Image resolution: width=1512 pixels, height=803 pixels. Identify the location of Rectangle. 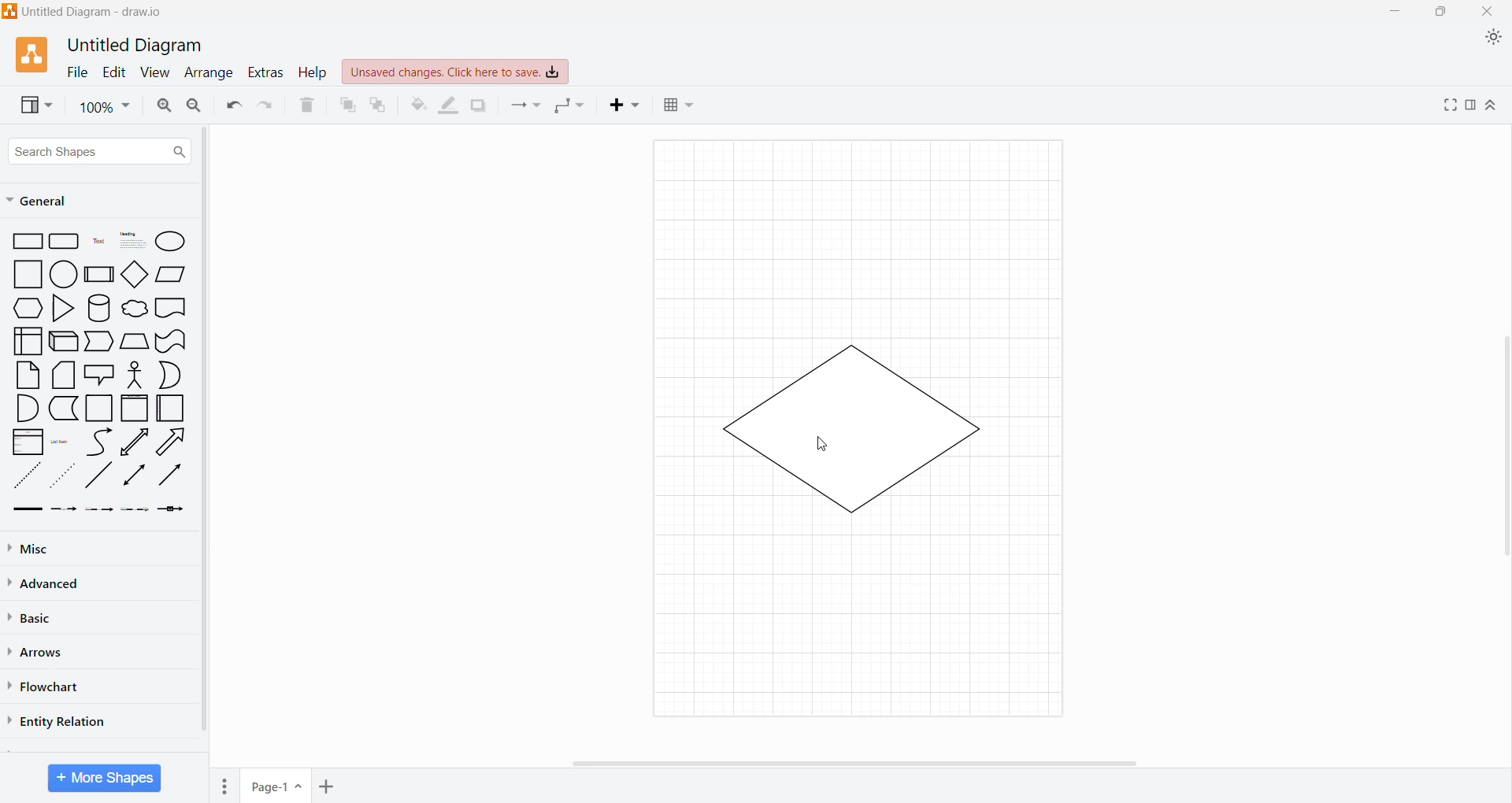
(28, 242).